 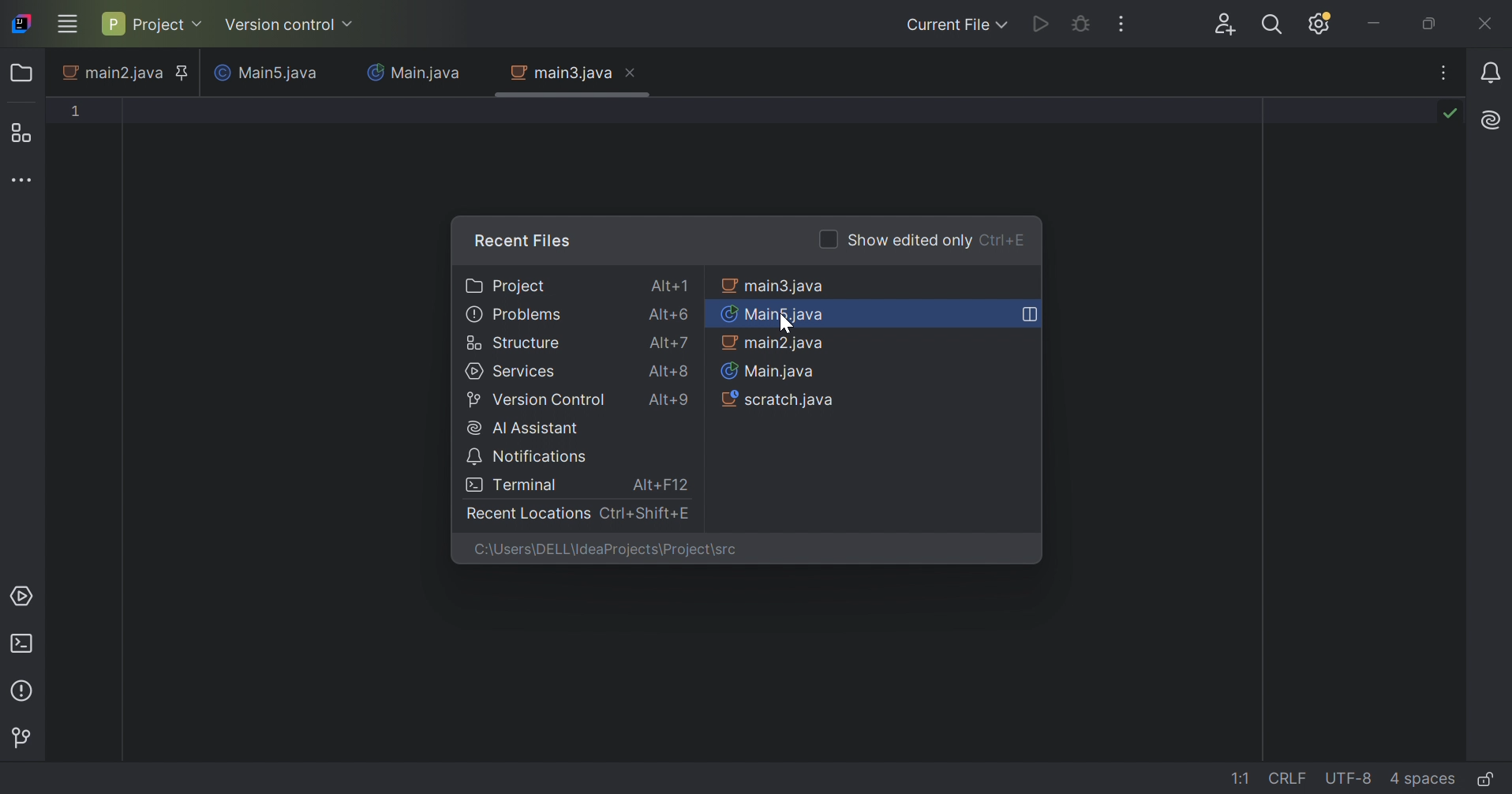 What do you see at coordinates (512, 343) in the screenshot?
I see `Structure` at bounding box center [512, 343].